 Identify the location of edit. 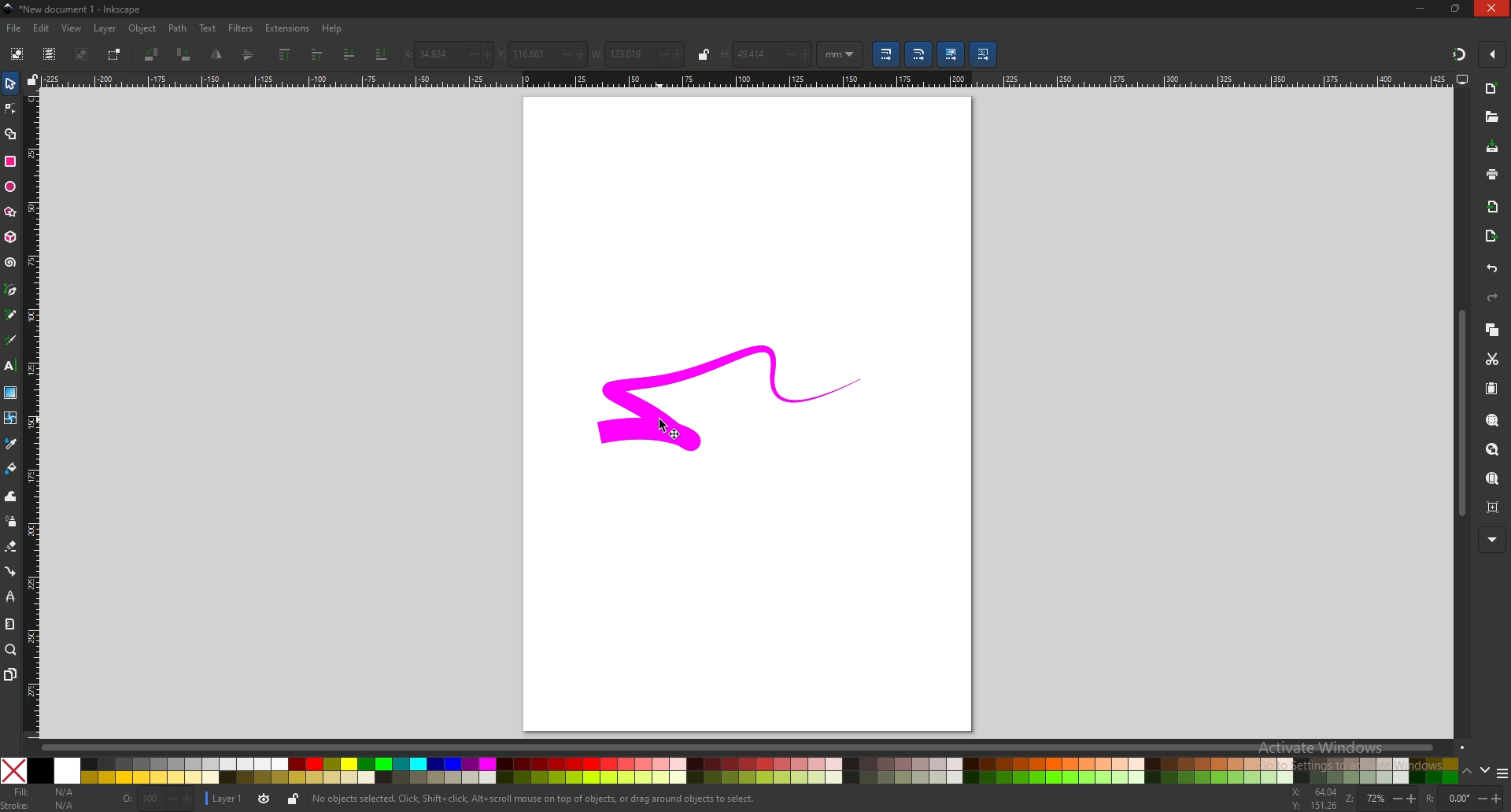
(42, 28).